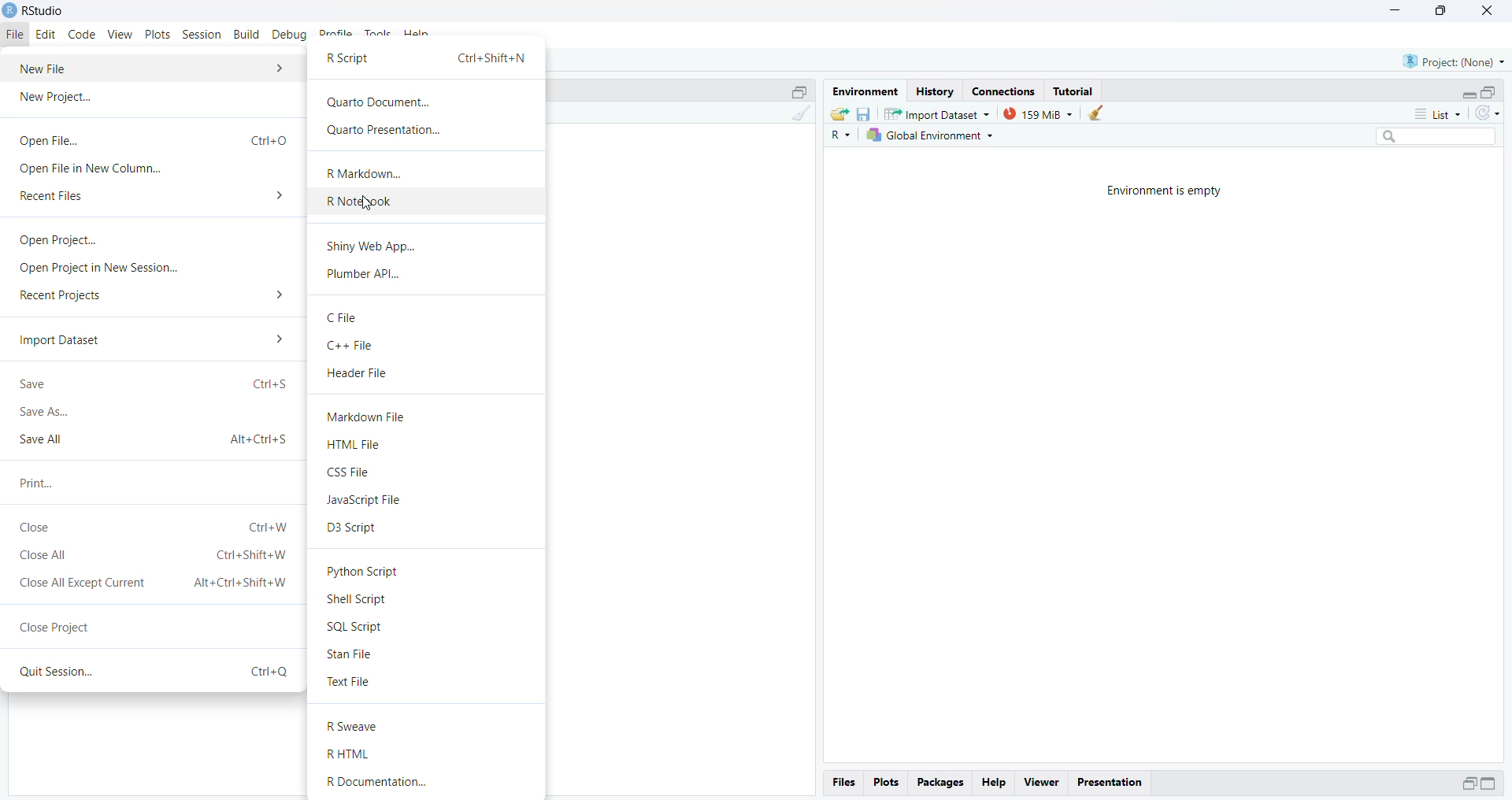  I want to click on Recent Projects >, so click(154, 297).